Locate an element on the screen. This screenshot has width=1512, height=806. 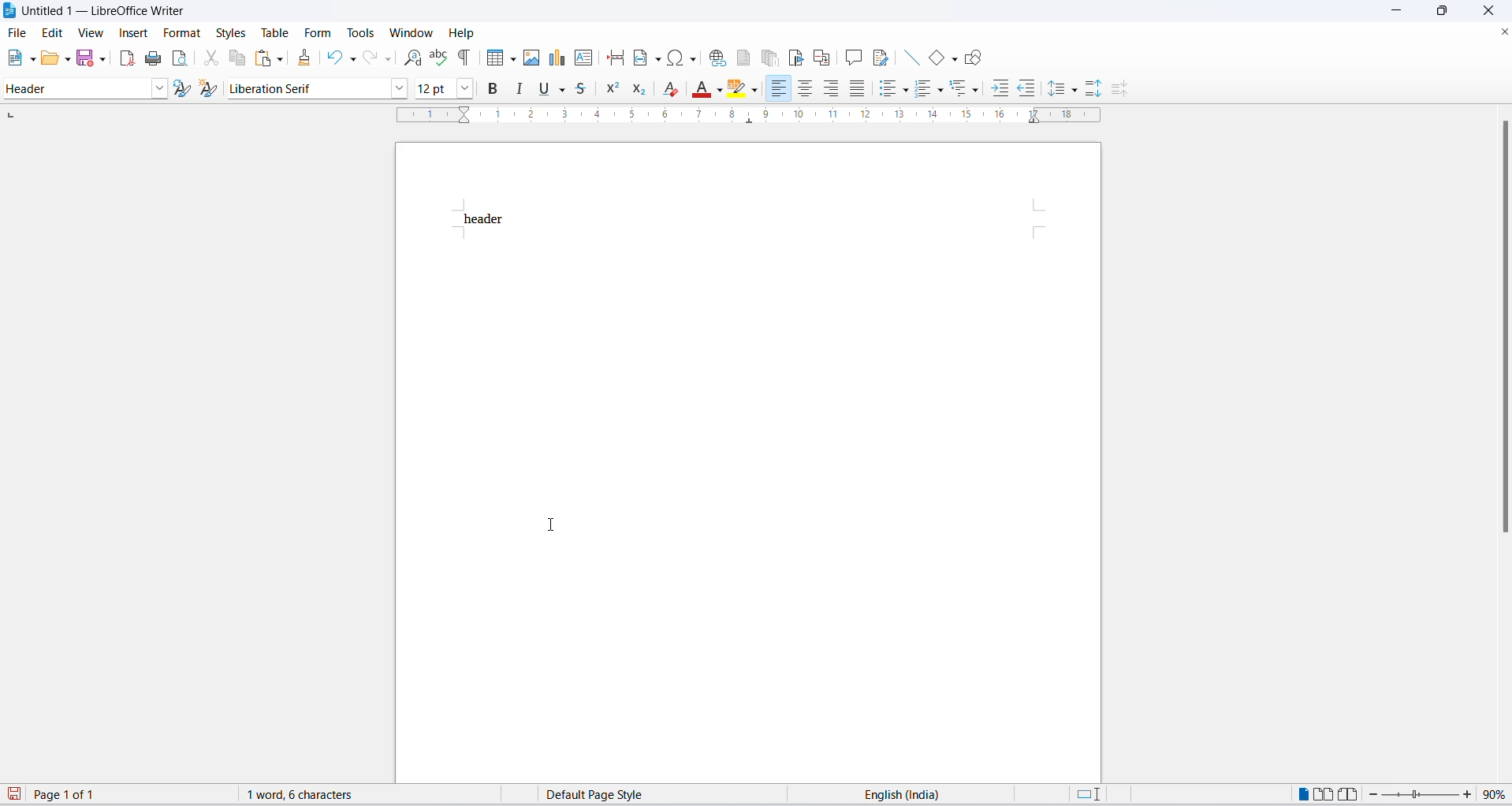
paragraph style options is located at coordinates (156, 88).